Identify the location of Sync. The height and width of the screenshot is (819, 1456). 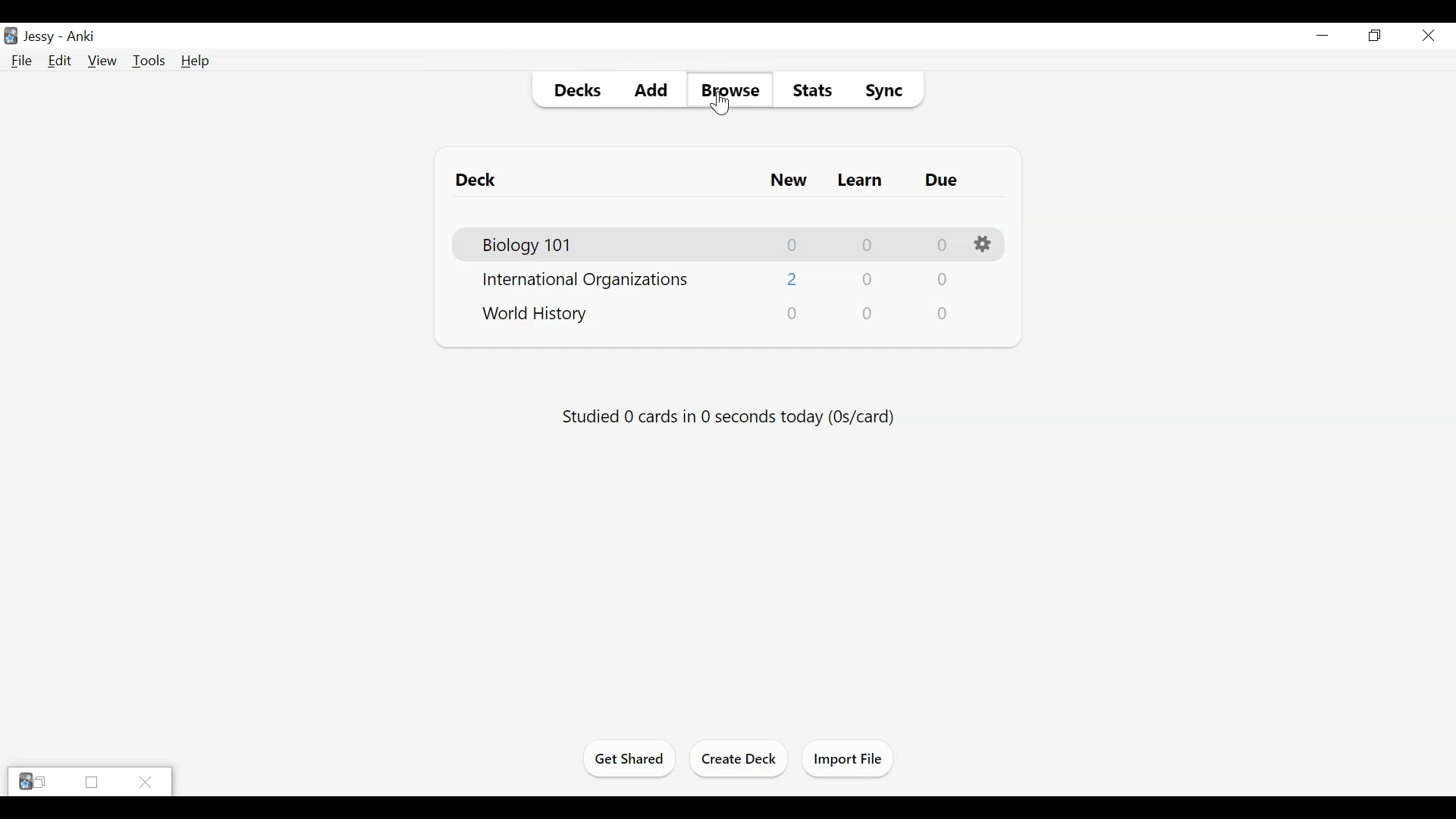
(882, 89).